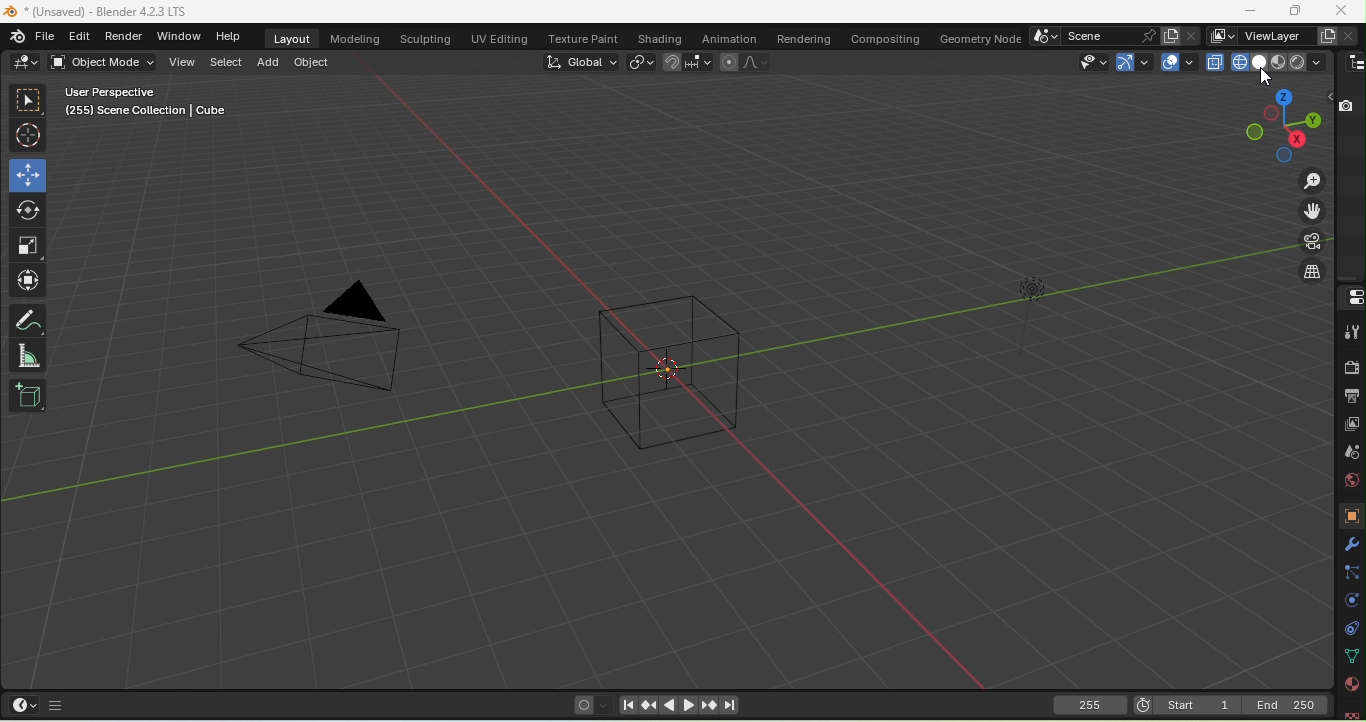 The width and height of the screenshot is (1366, 722). I want to click on Move in the view, so click(1311, 213).